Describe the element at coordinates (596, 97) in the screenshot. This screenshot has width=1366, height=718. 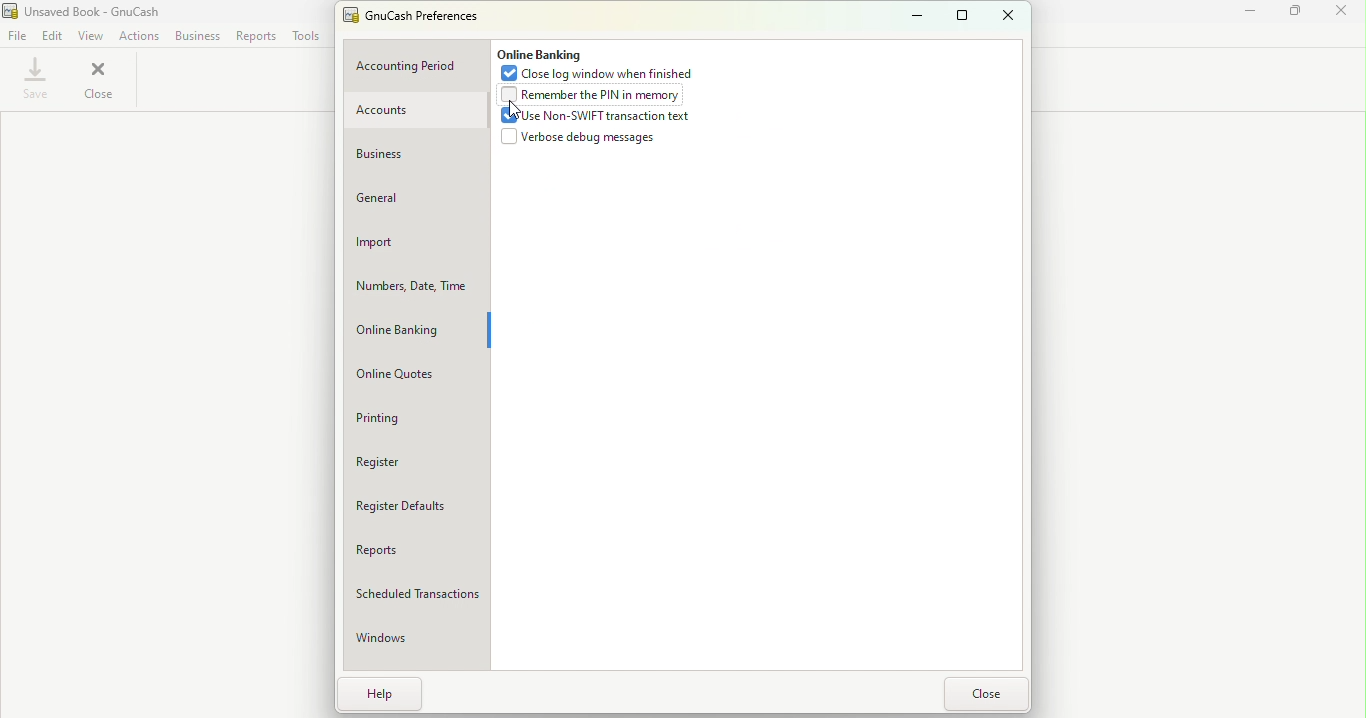
I see `Remember the PIN in memory` at that location.